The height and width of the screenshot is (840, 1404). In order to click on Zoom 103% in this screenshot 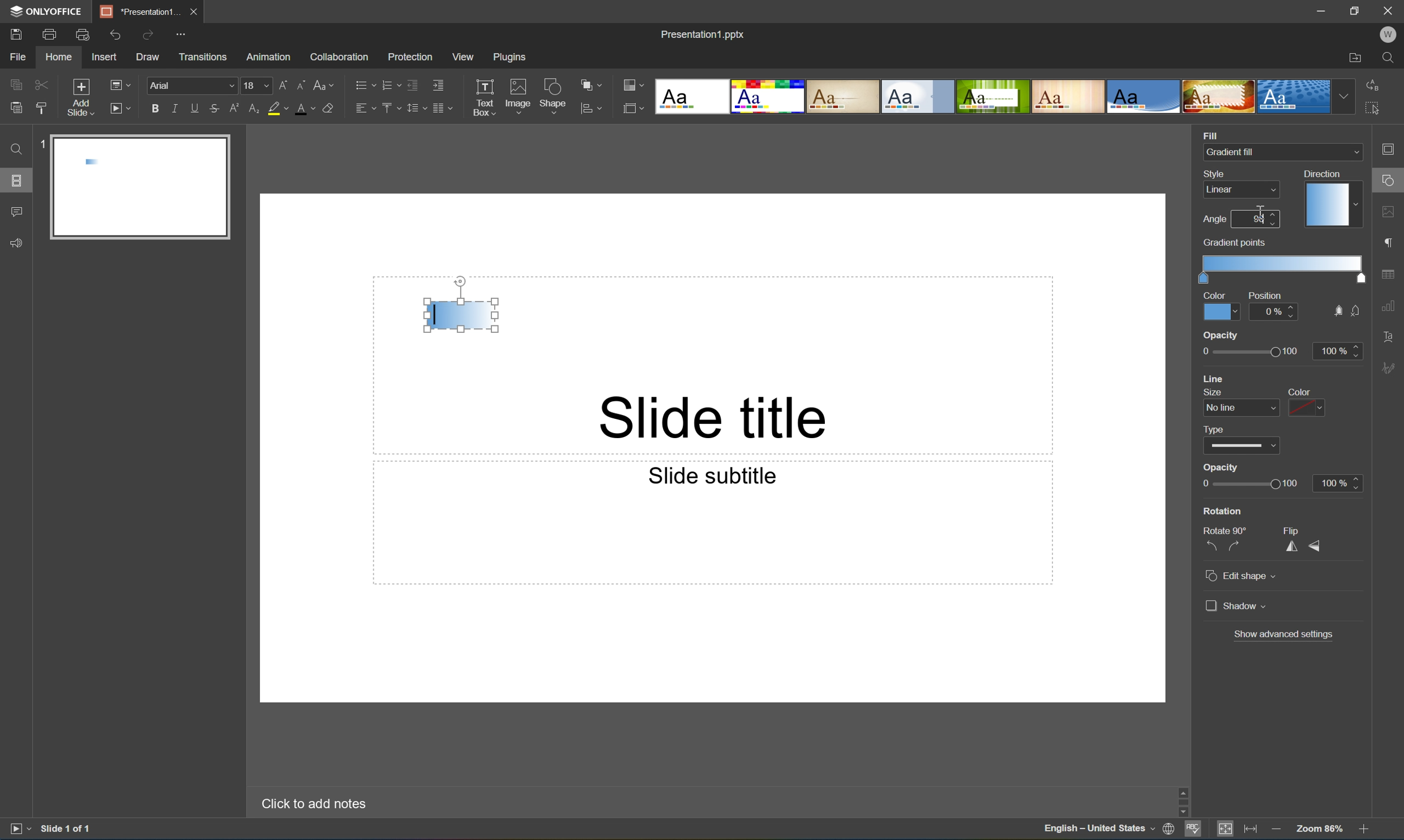, I will do `click(1321, 830)`.